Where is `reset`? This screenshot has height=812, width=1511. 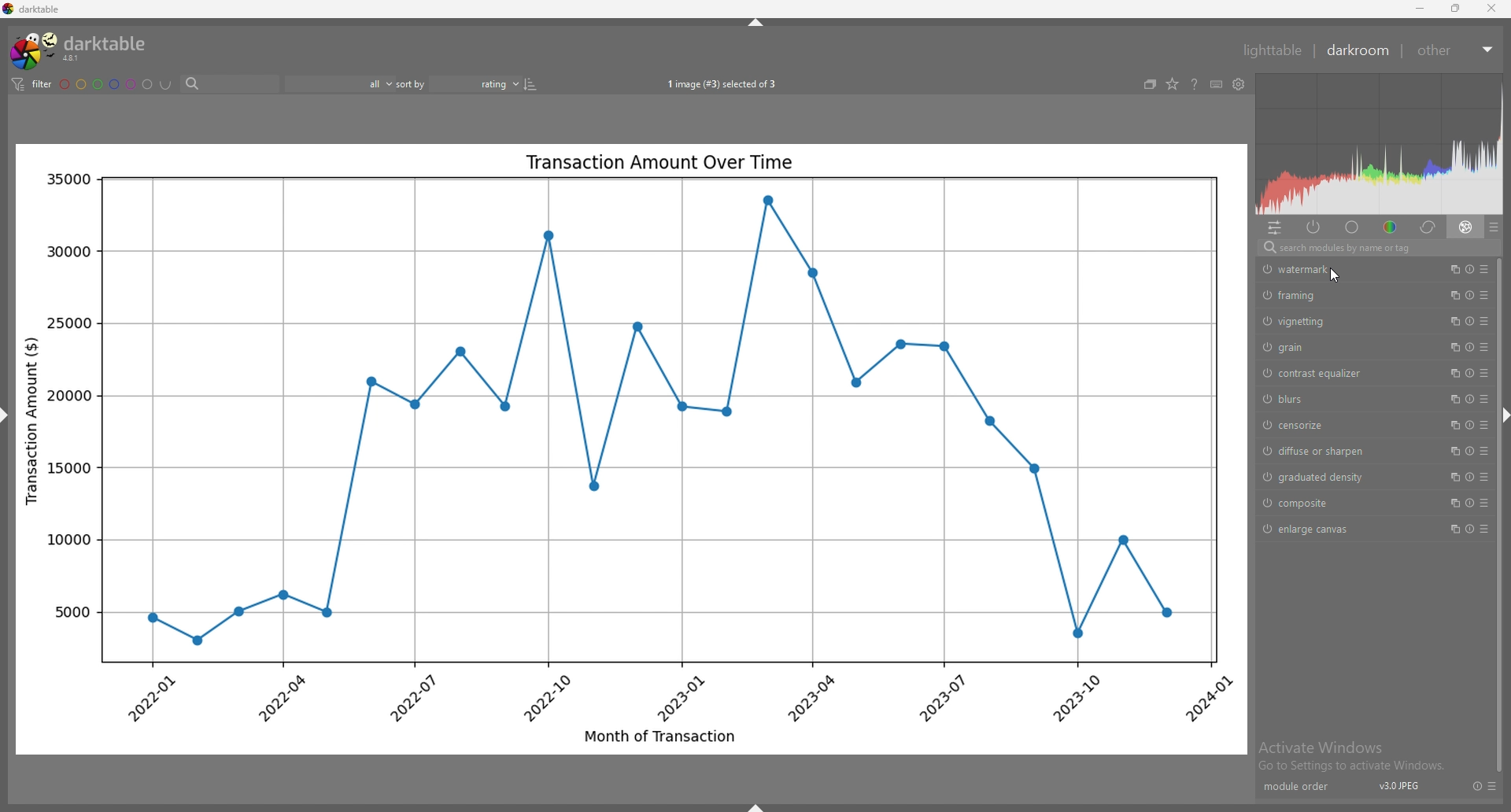 reset is located at coordinates (1469, 372).